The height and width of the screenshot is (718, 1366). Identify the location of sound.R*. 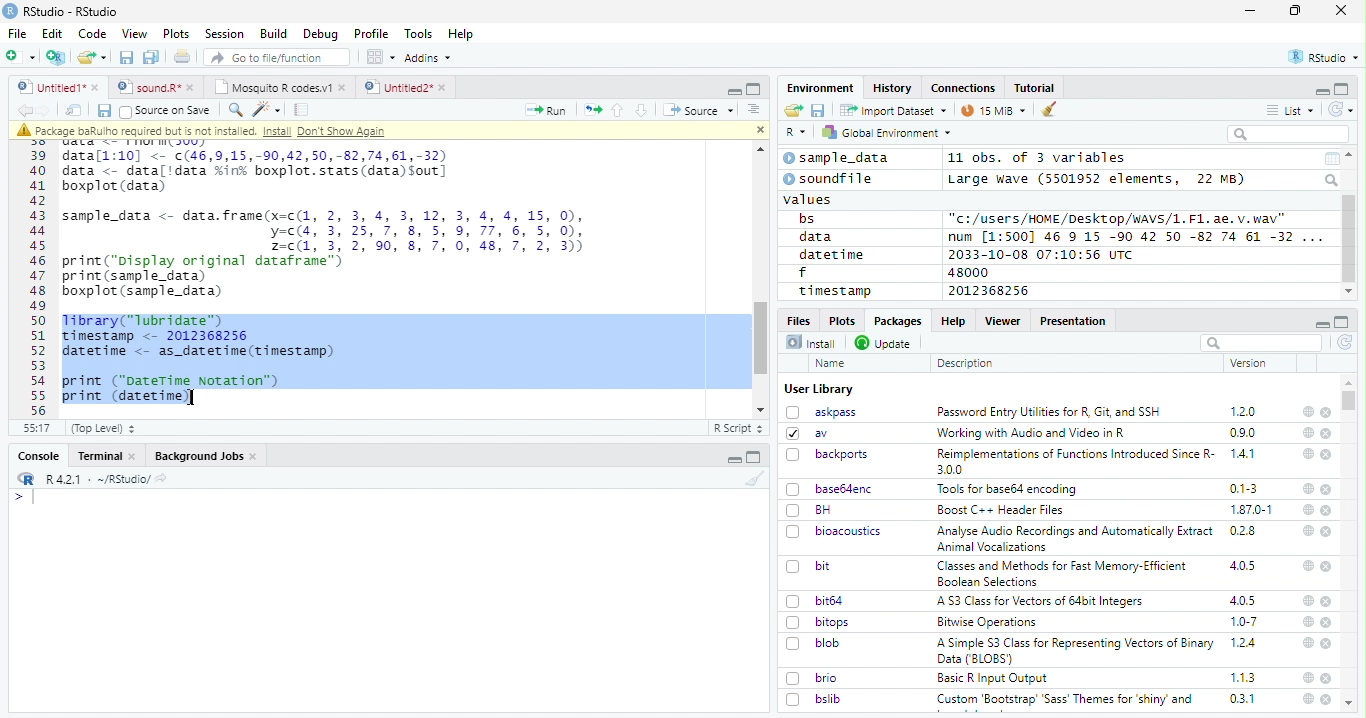
(156, 88).